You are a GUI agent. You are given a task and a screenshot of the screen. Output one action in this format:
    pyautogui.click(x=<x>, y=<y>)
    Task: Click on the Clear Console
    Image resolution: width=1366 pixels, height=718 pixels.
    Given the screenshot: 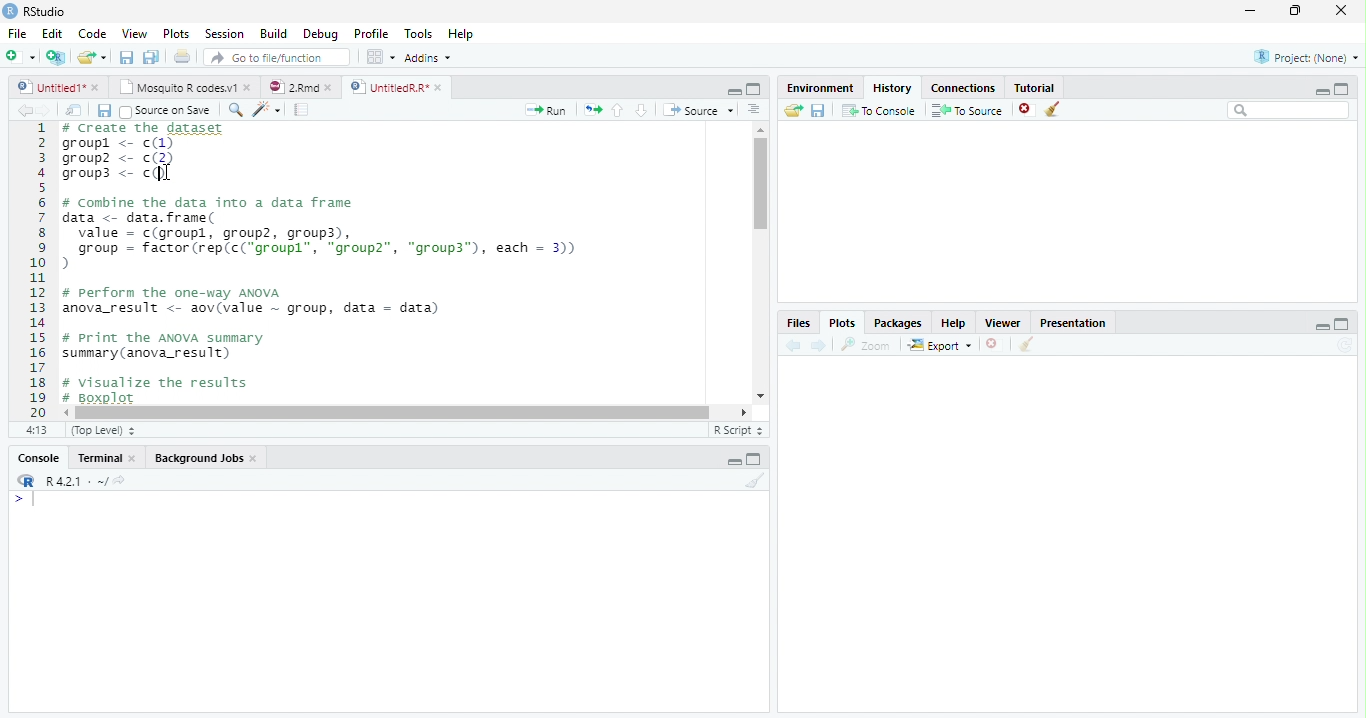 What is the action you would take?
    pyautogui.click(x=1024, y=345)
    